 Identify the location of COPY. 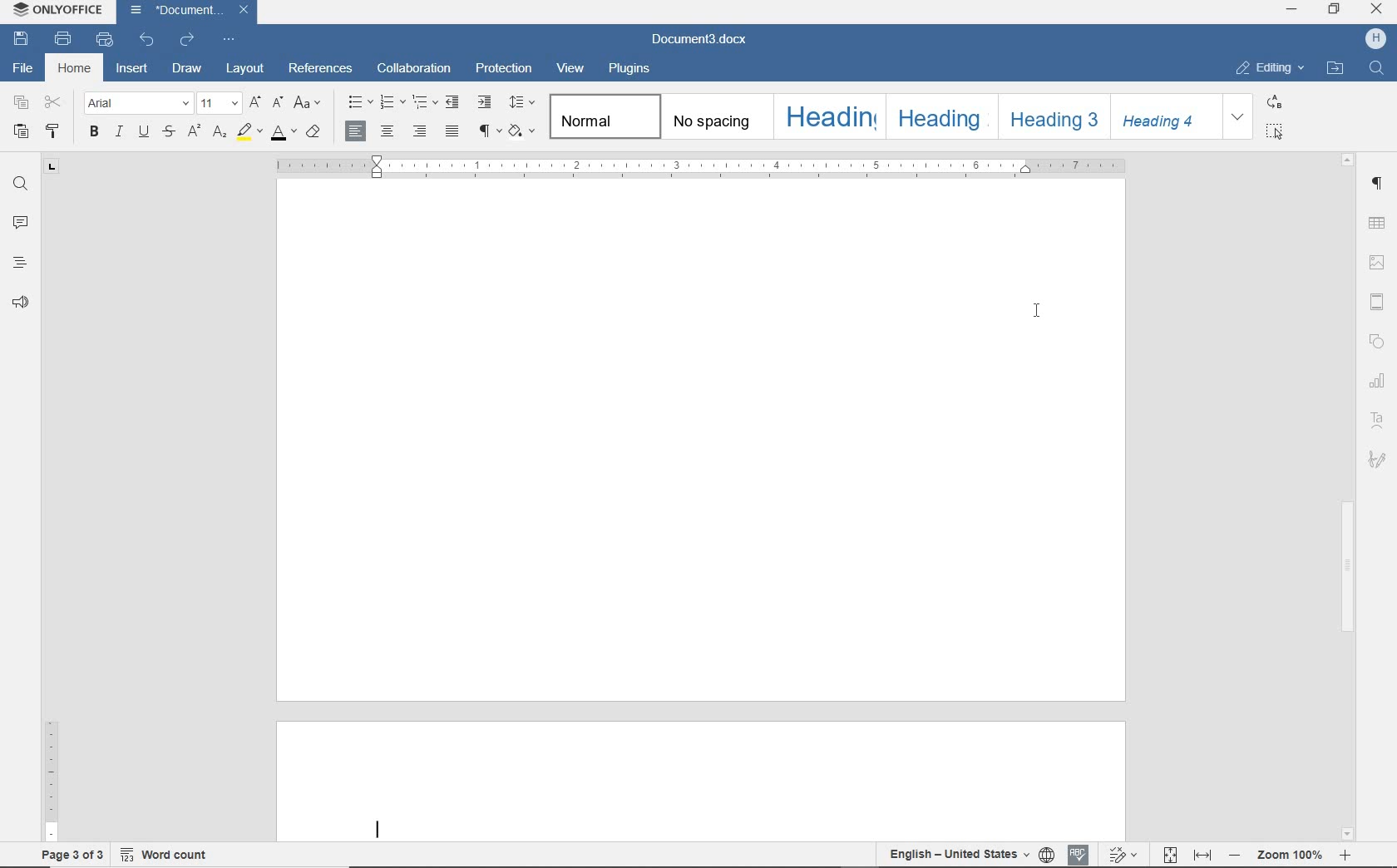
(21, 103).